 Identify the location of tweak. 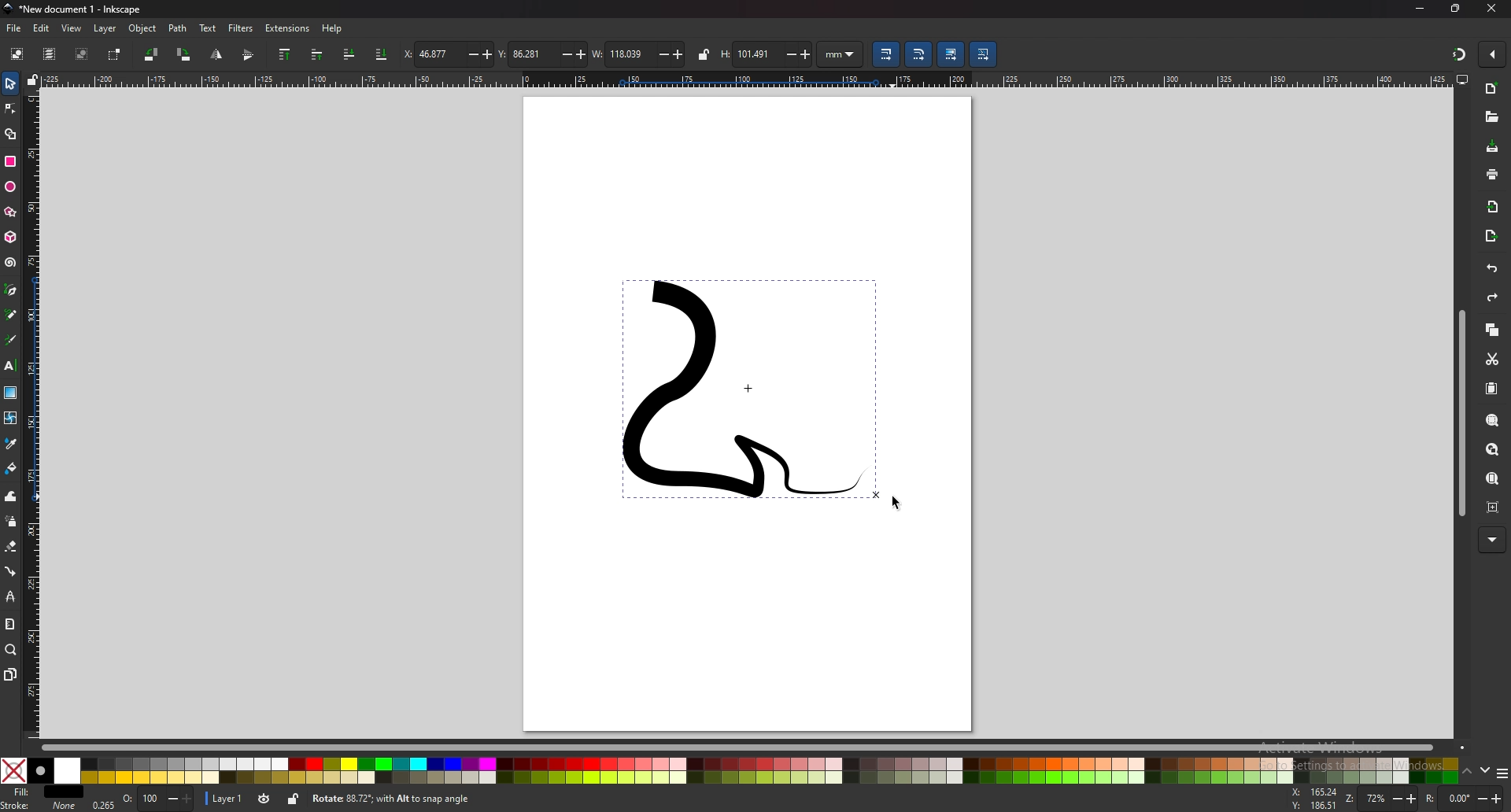
(11, 496).